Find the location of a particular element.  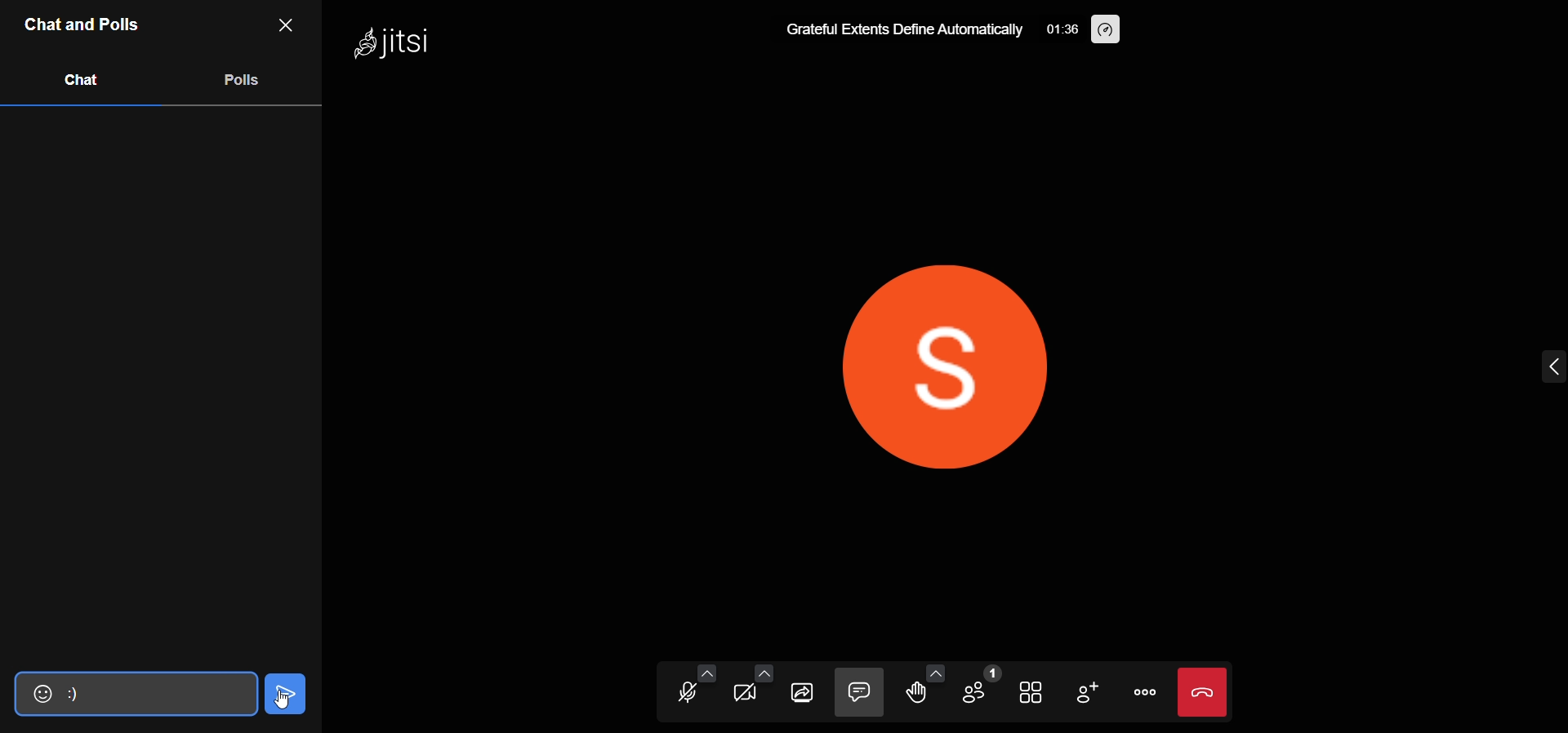

screen share is located at coordinates (804, 691).